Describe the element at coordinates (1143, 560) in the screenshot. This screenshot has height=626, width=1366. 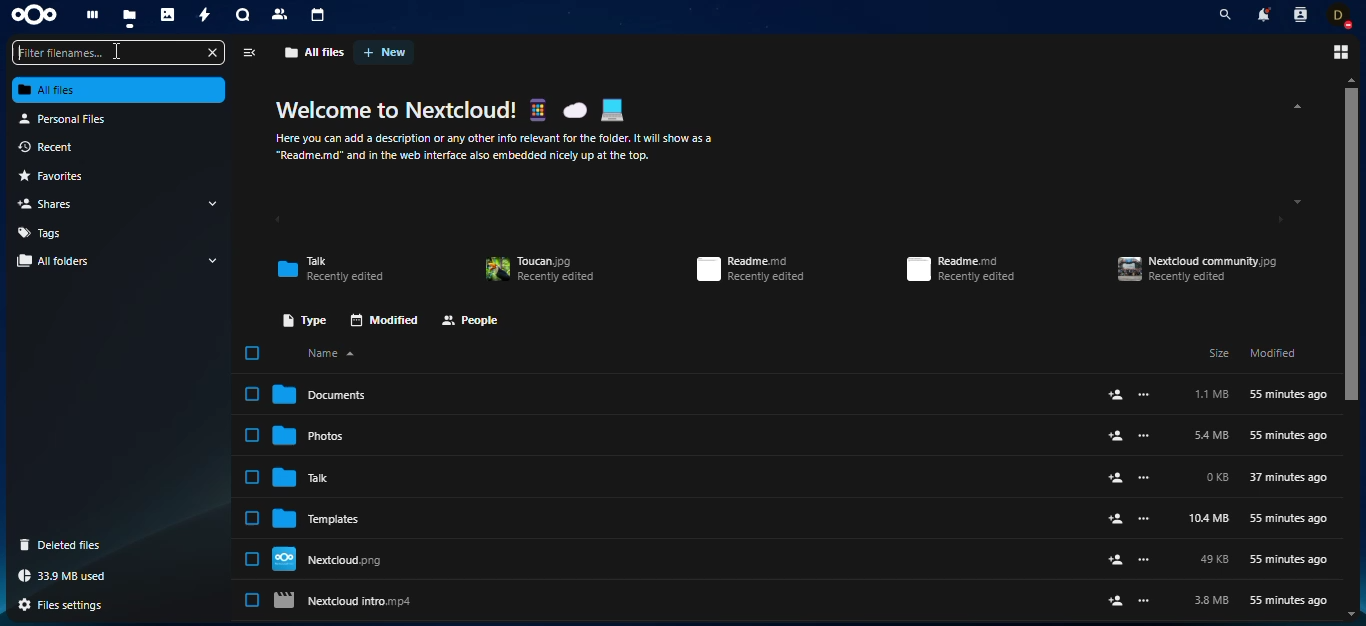
I see `more` at that location.